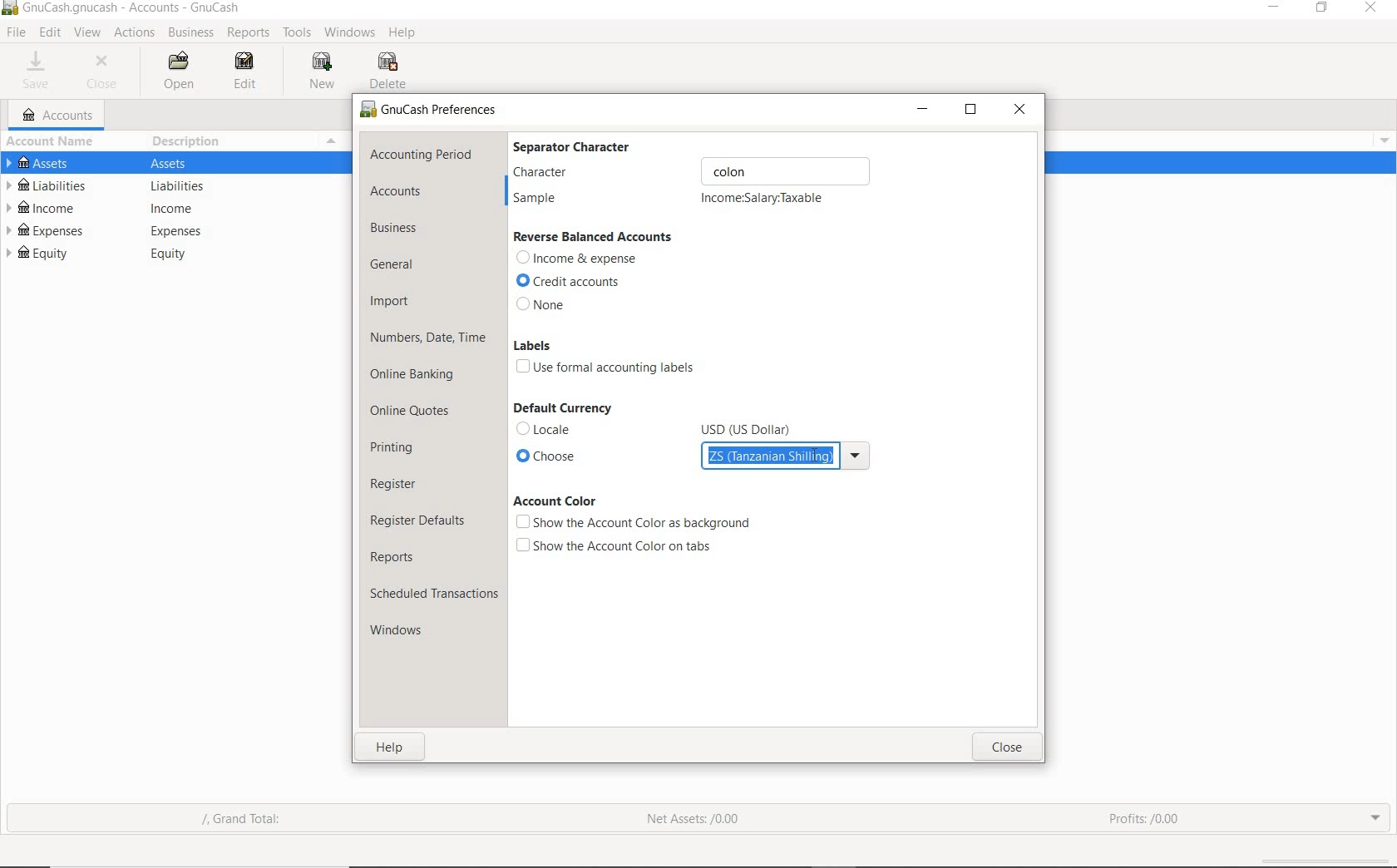 The width and height of the screenshot is (1397, 868). Describe the element at coordinates (131, 9) in the screenshot. I see `system name` at that location.